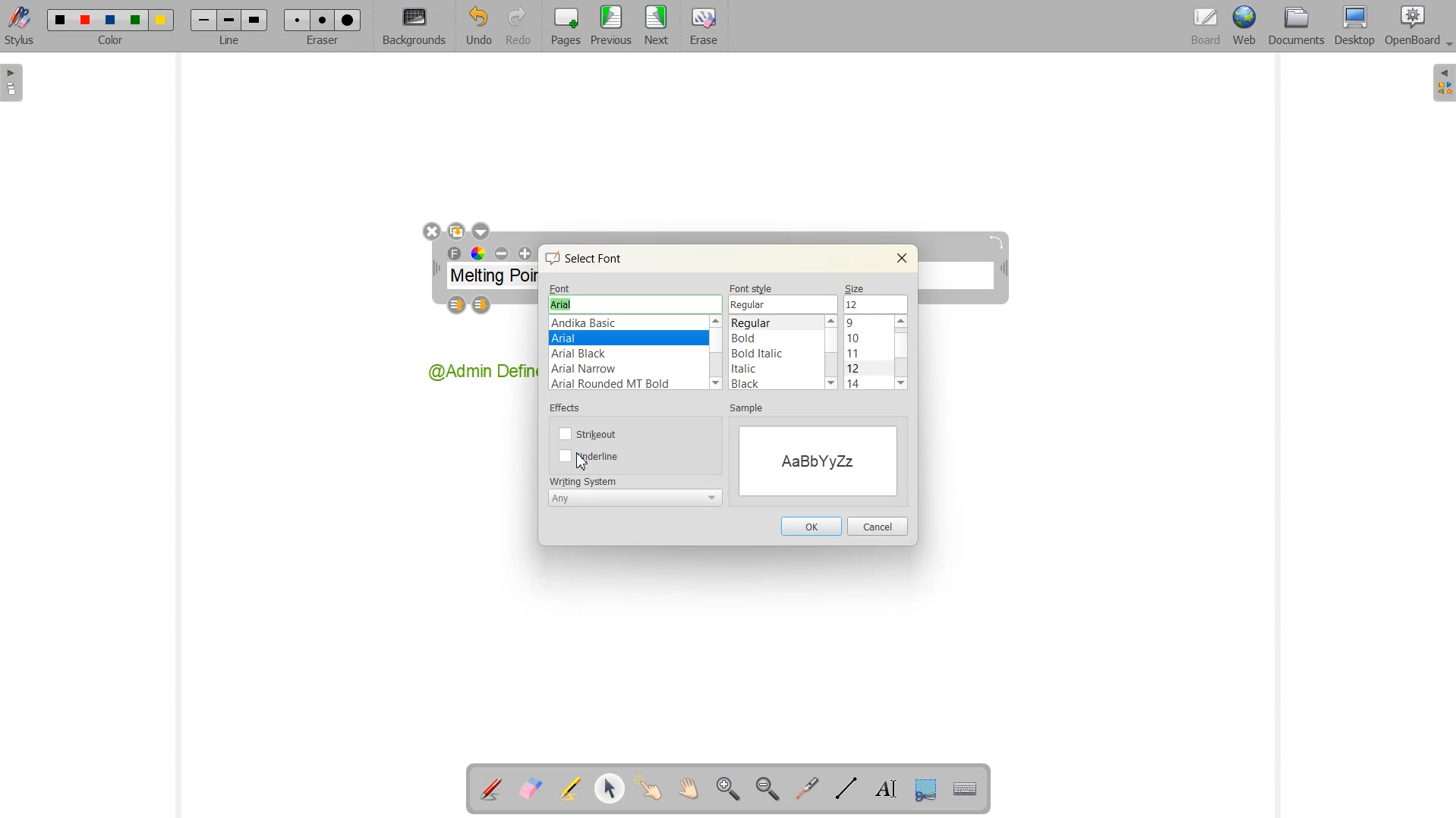 Image resolution: width=1456 pixels, height=818 pixels. I want to click on Zoom In, so click(730, 789).